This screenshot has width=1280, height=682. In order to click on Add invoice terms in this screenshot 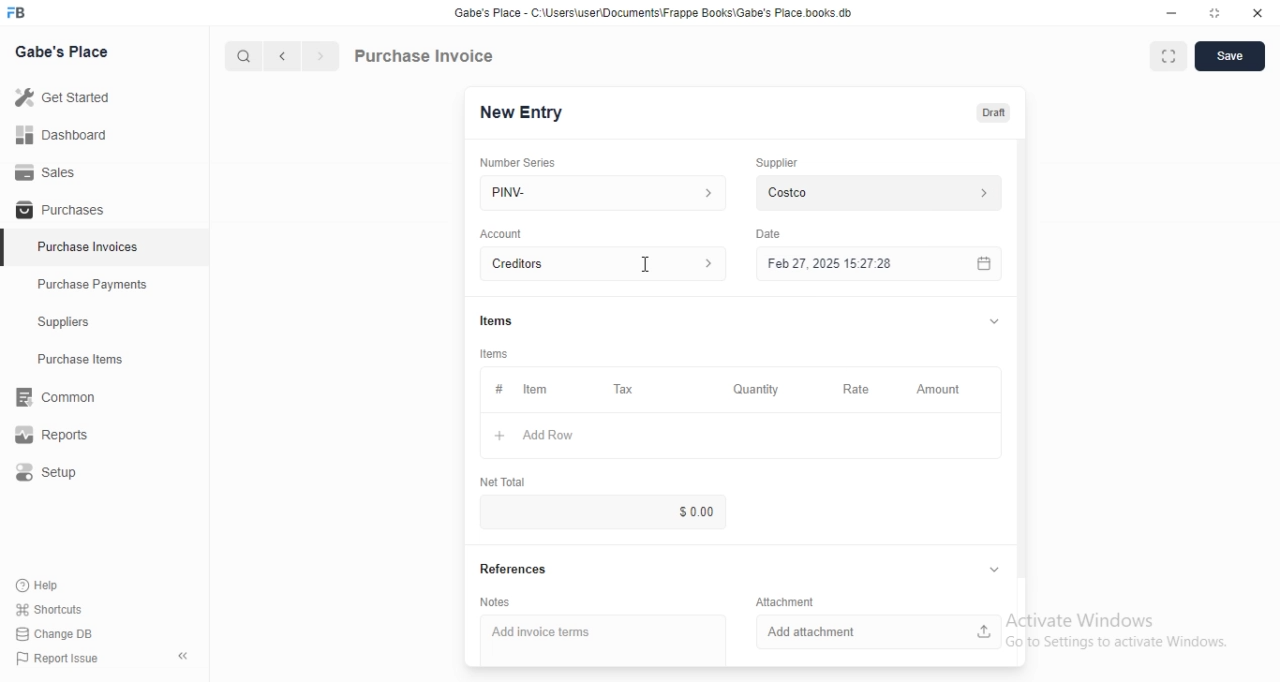, I will do `click(603, 640)`.